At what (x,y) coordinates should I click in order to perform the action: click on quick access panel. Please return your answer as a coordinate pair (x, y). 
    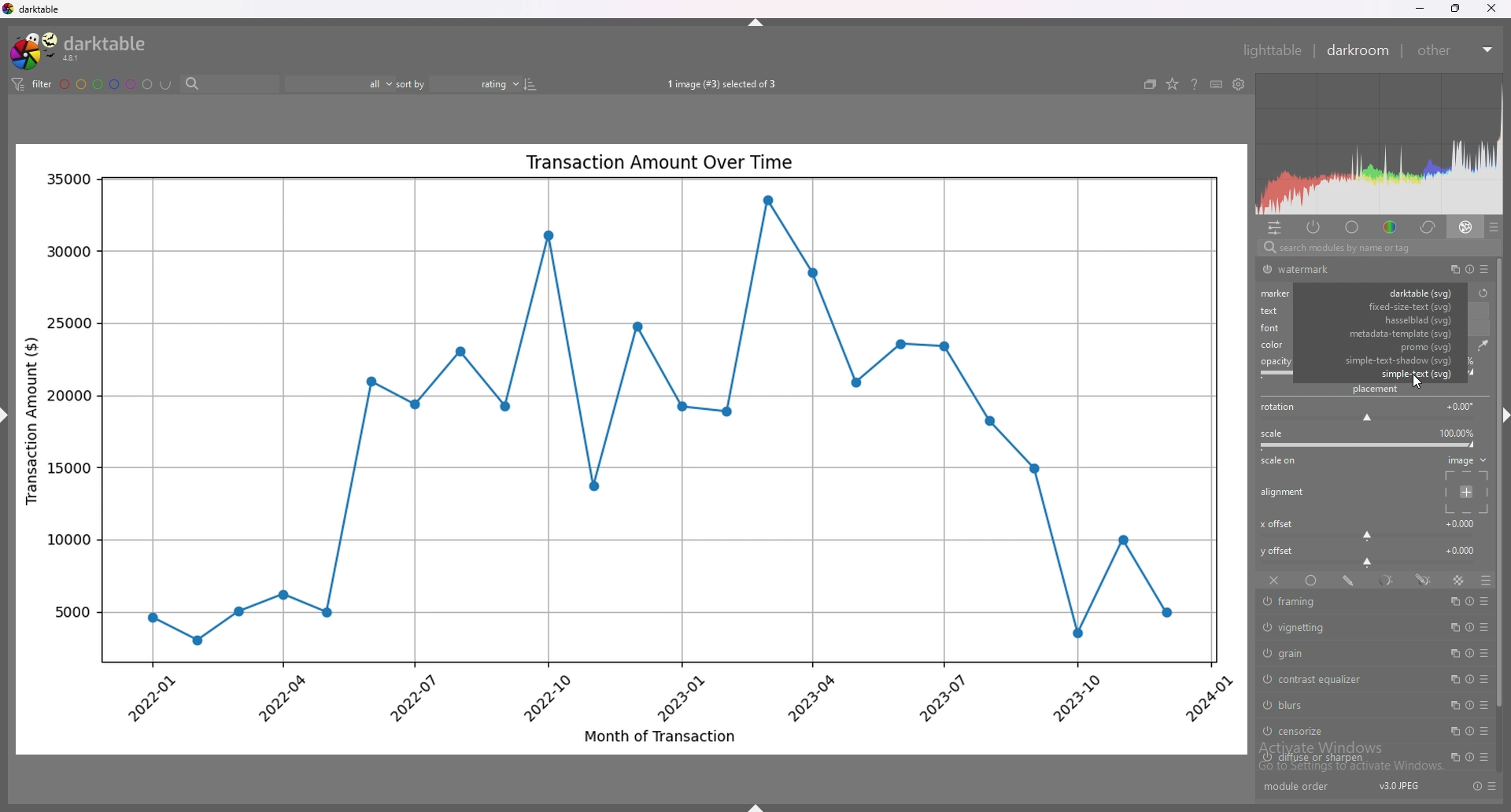
    Looking at the image, I should click on (1274, 227).